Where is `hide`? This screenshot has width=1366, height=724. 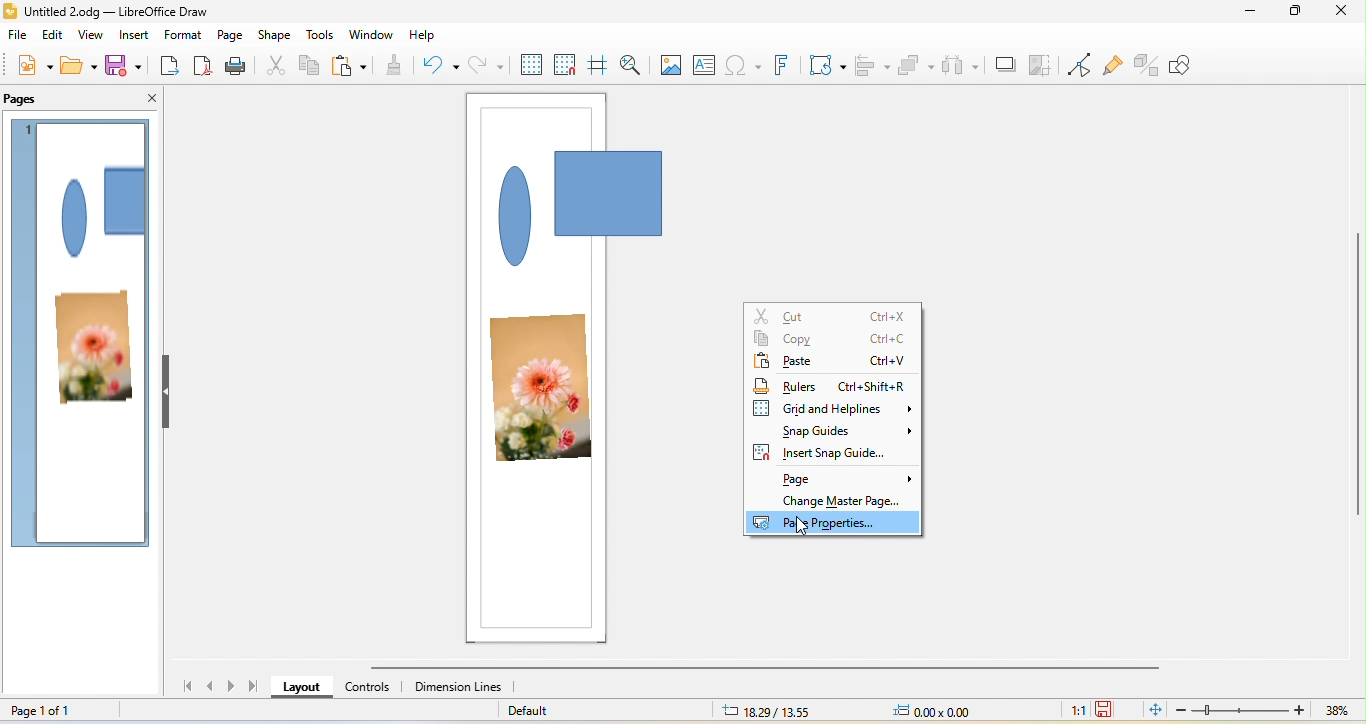 hide is located at coordinates (165, 393).